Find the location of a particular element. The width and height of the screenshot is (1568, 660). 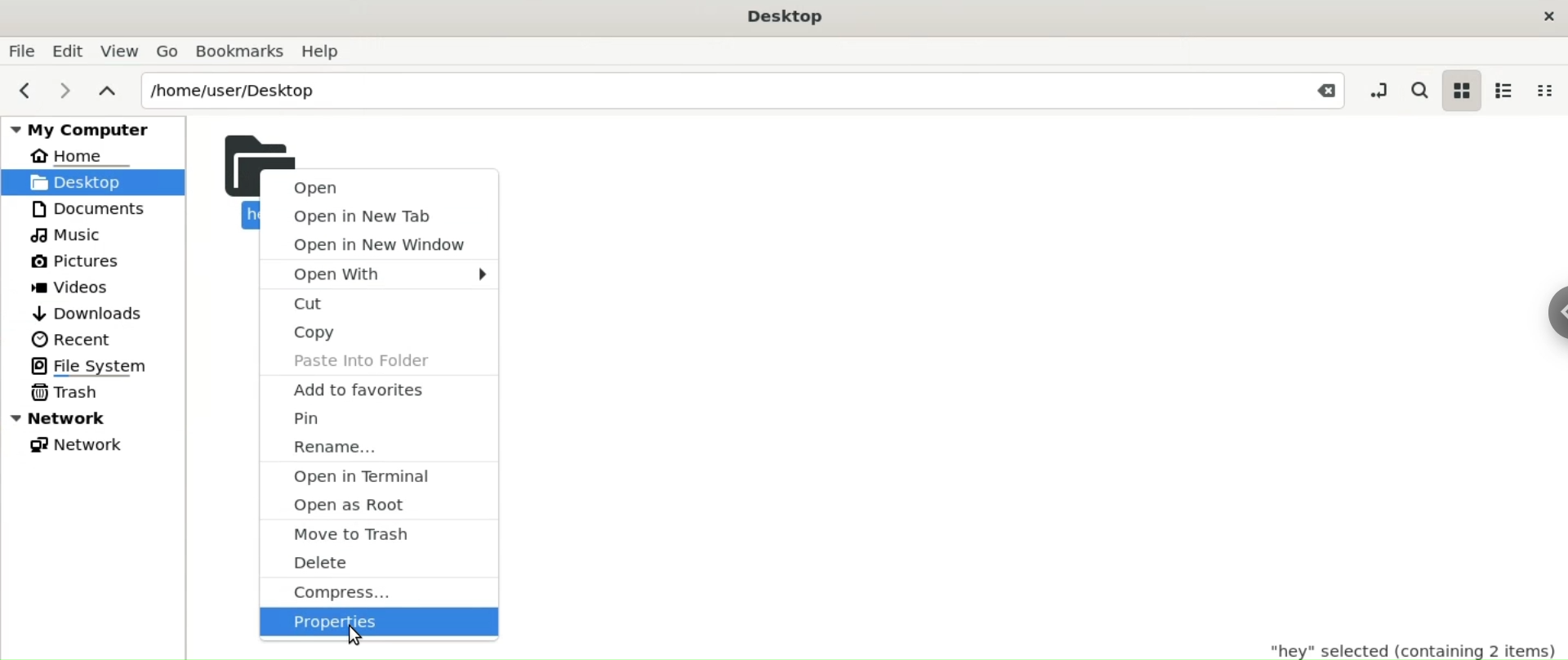

Close is located at coordinates (1325, 91).